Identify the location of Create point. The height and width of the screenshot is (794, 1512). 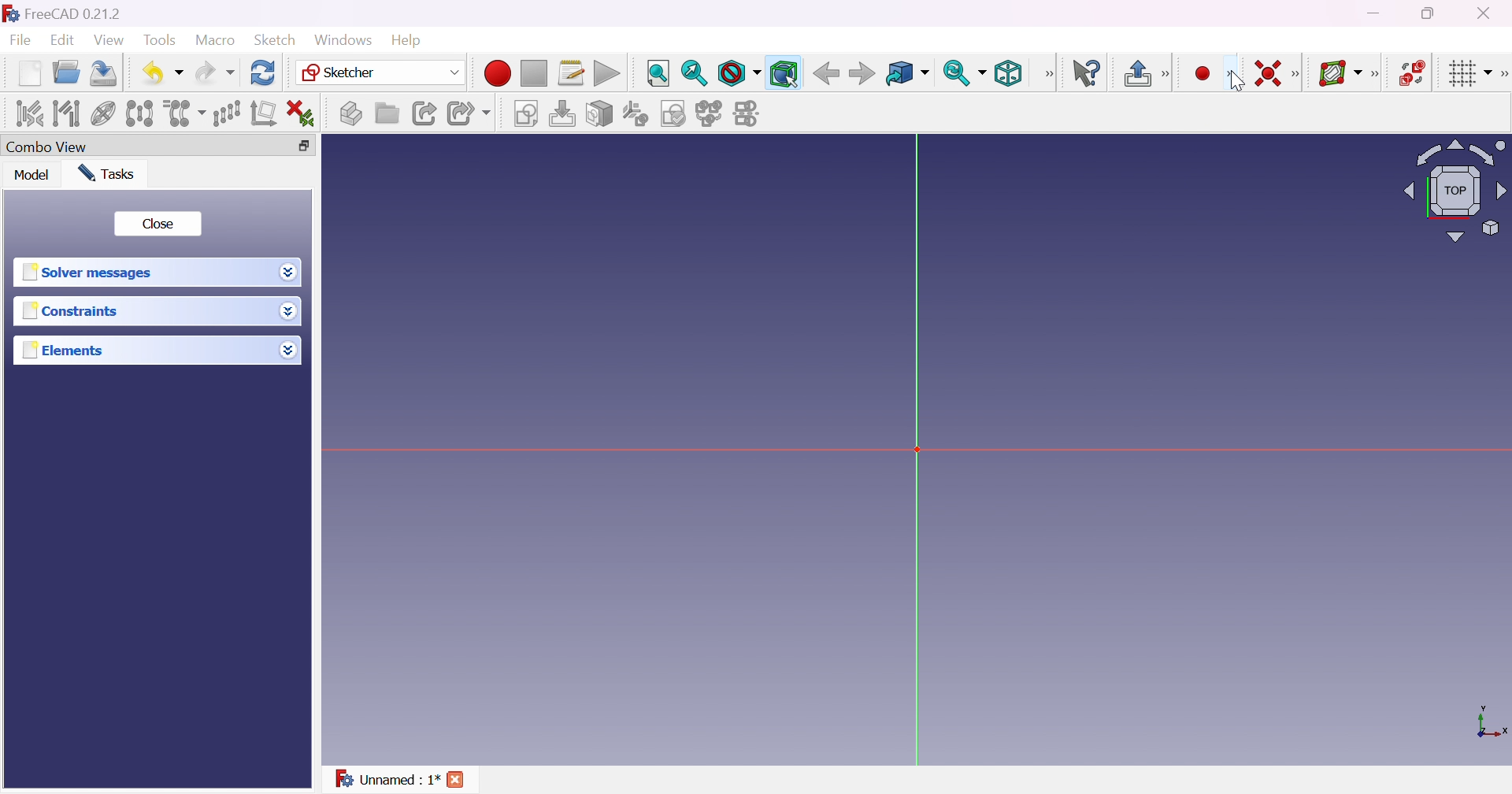
(1201, 73).